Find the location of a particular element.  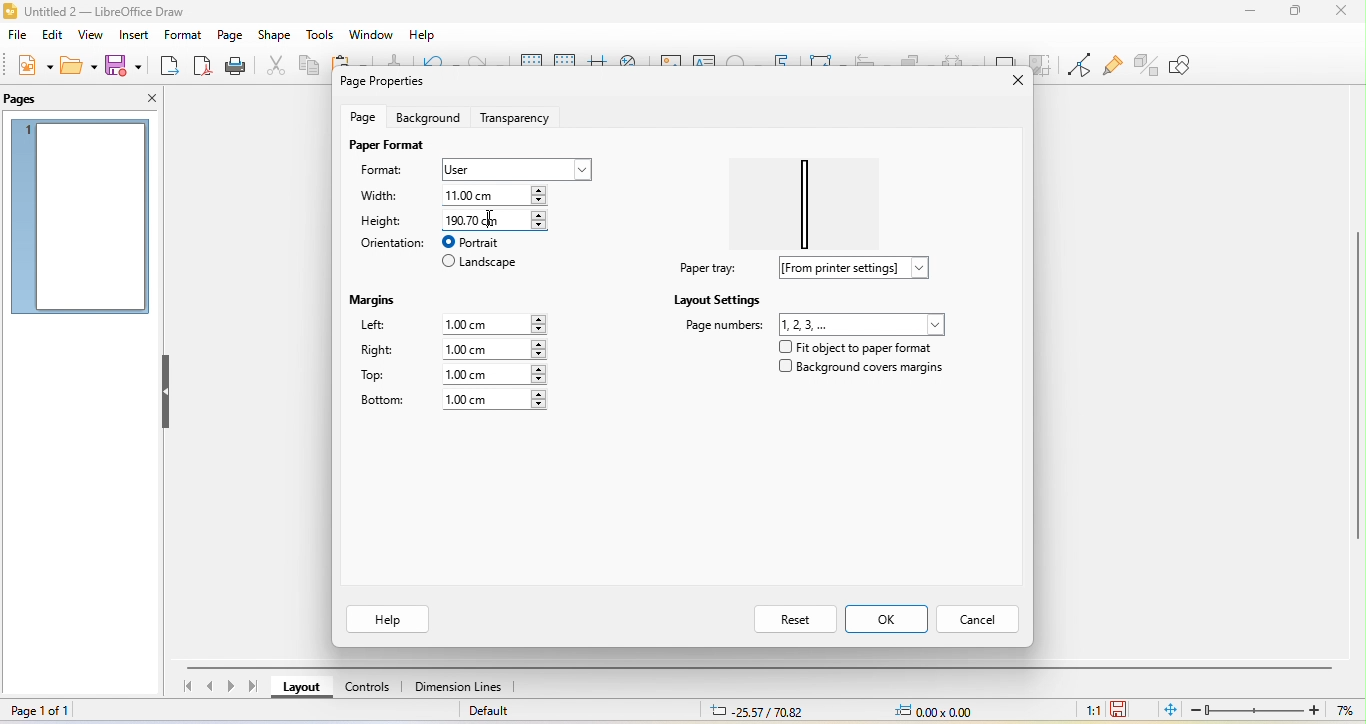

1.00 cm is located at coordinates (493, 349).